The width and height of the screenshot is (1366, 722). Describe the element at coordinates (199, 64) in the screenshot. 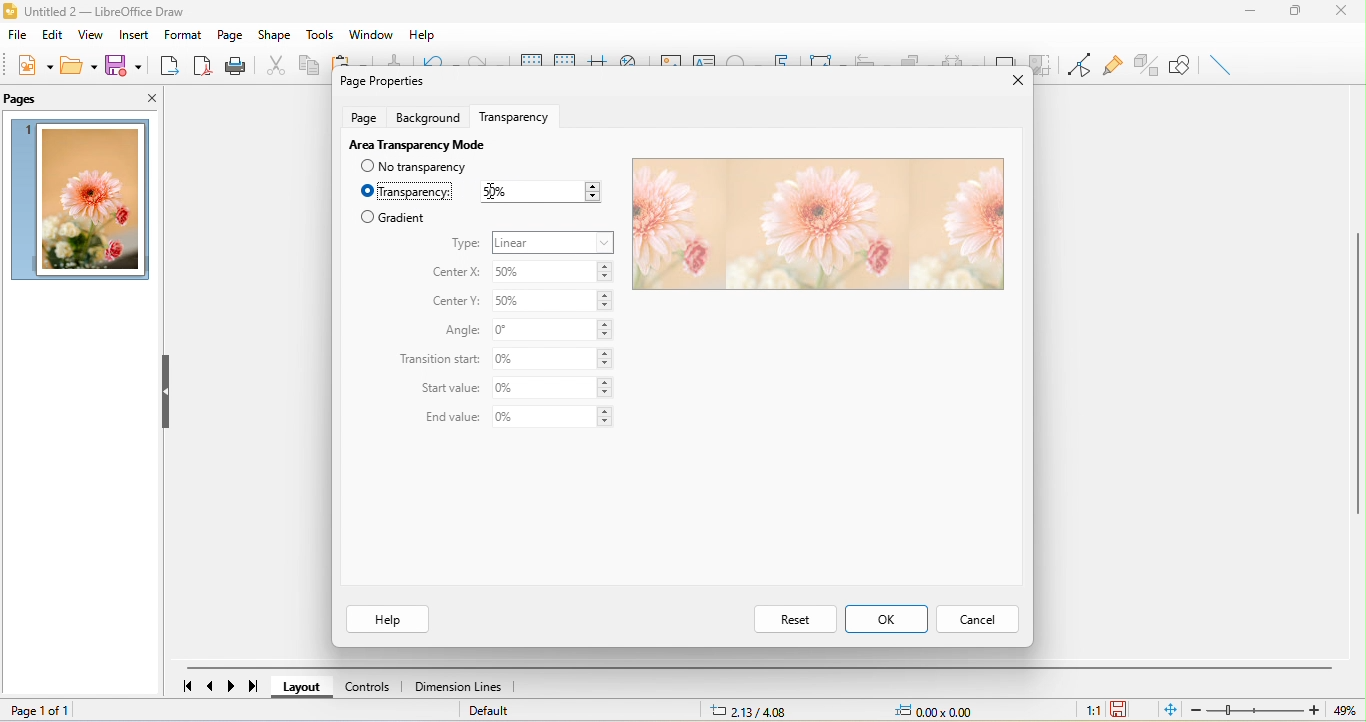

I see `export directly as pdf` at that location.